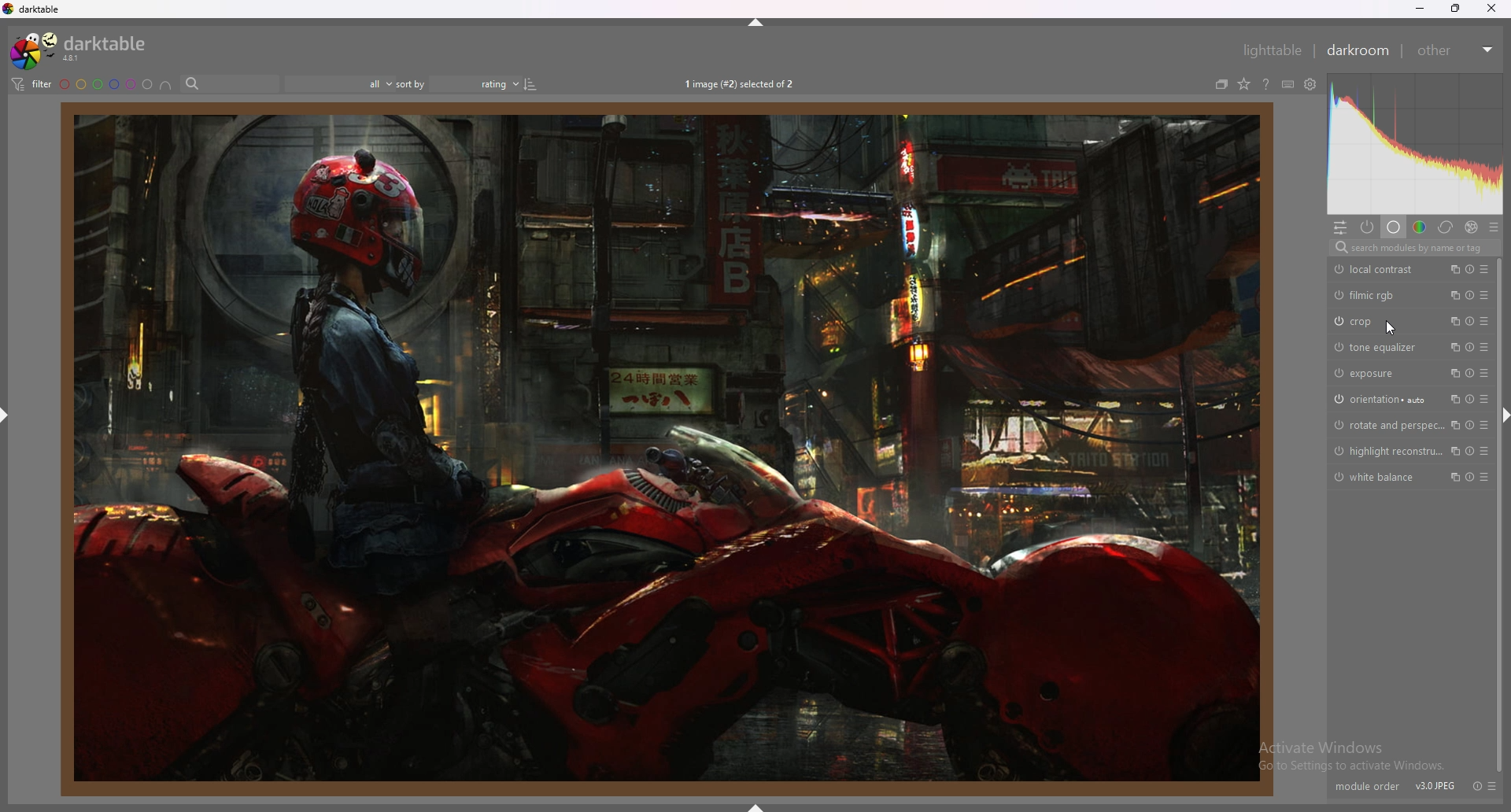 This screenshot has width=1511, height=812. I want to click on color label, so click(106, 83).